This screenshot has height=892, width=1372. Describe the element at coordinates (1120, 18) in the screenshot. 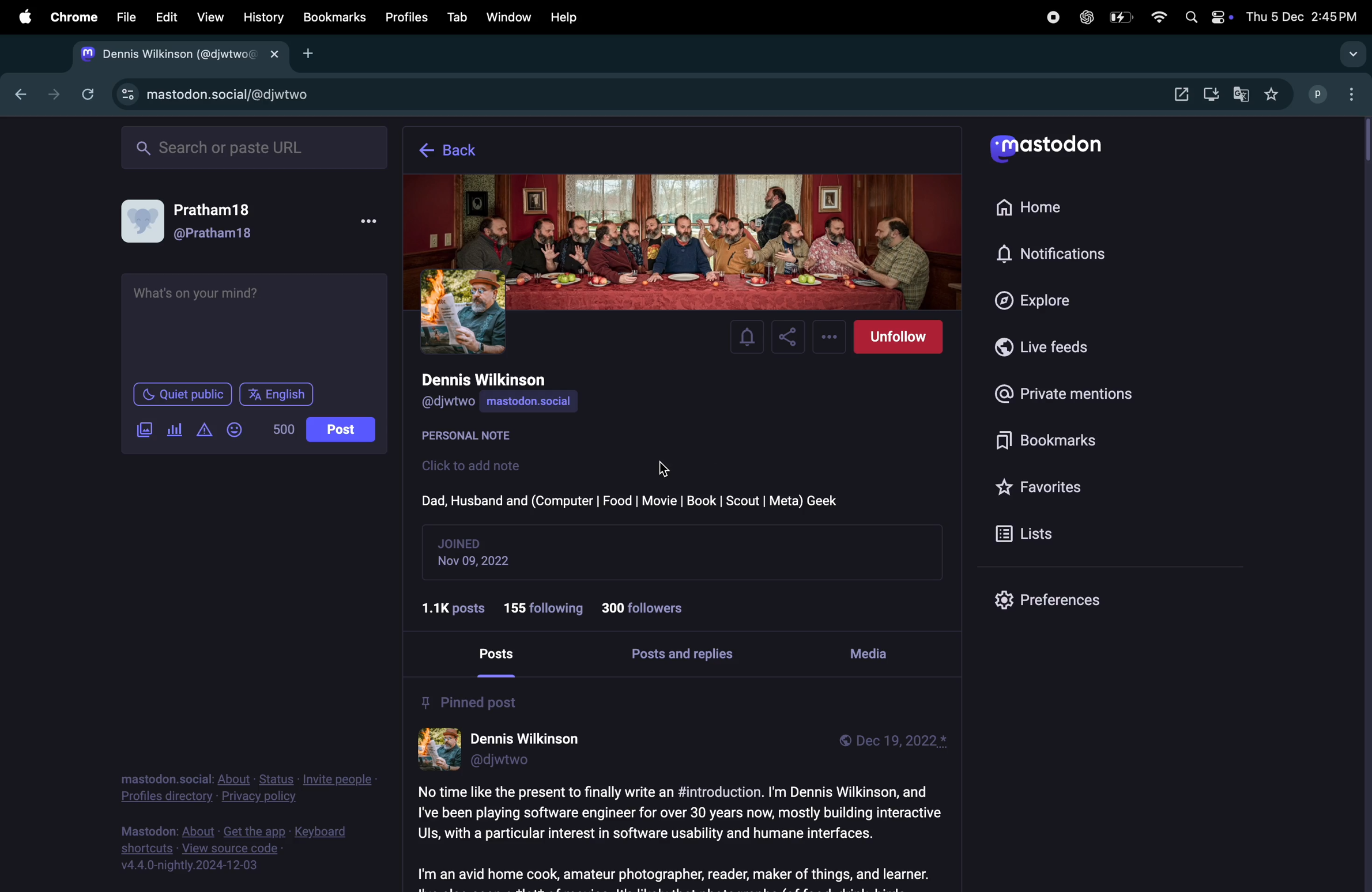

I see `battery` at that location.